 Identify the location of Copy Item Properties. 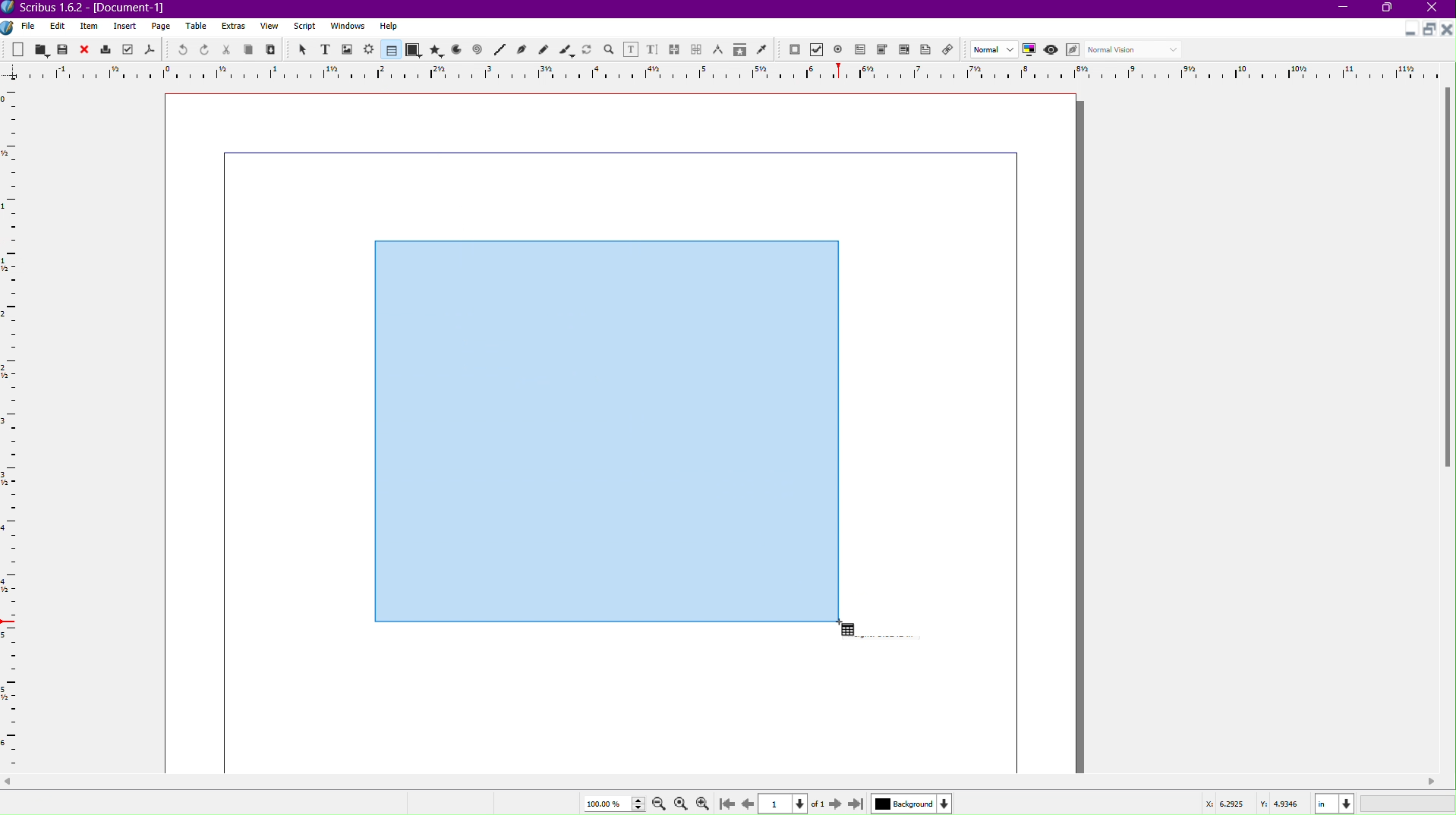
(739, 50).